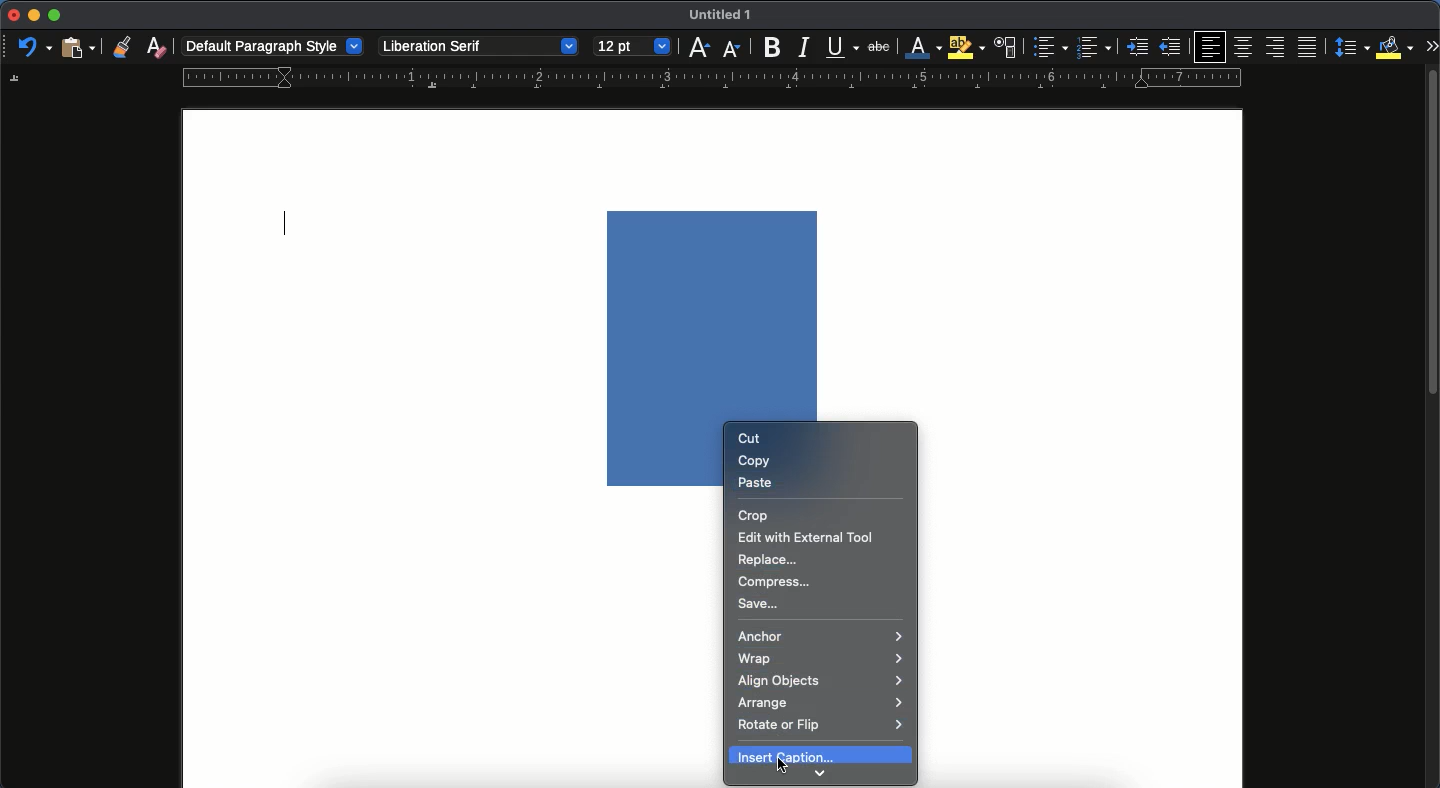 This screenshot has height=788, width=1440. Describe the element at coordinates (769, 558) in the screenshot. I see `replace` at that location.